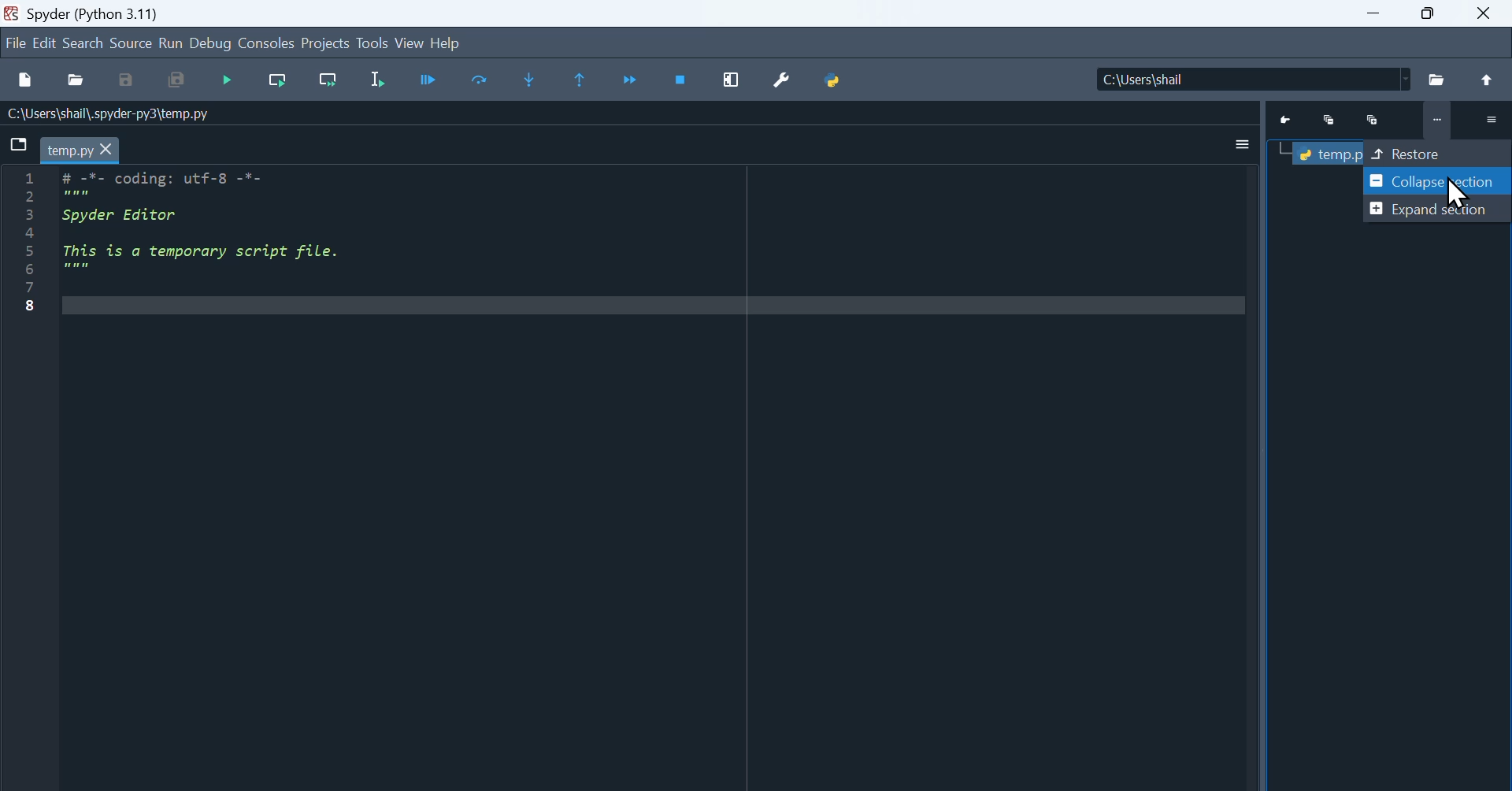  I want to click on Spyder (Python 3.11), so click(100, 13).